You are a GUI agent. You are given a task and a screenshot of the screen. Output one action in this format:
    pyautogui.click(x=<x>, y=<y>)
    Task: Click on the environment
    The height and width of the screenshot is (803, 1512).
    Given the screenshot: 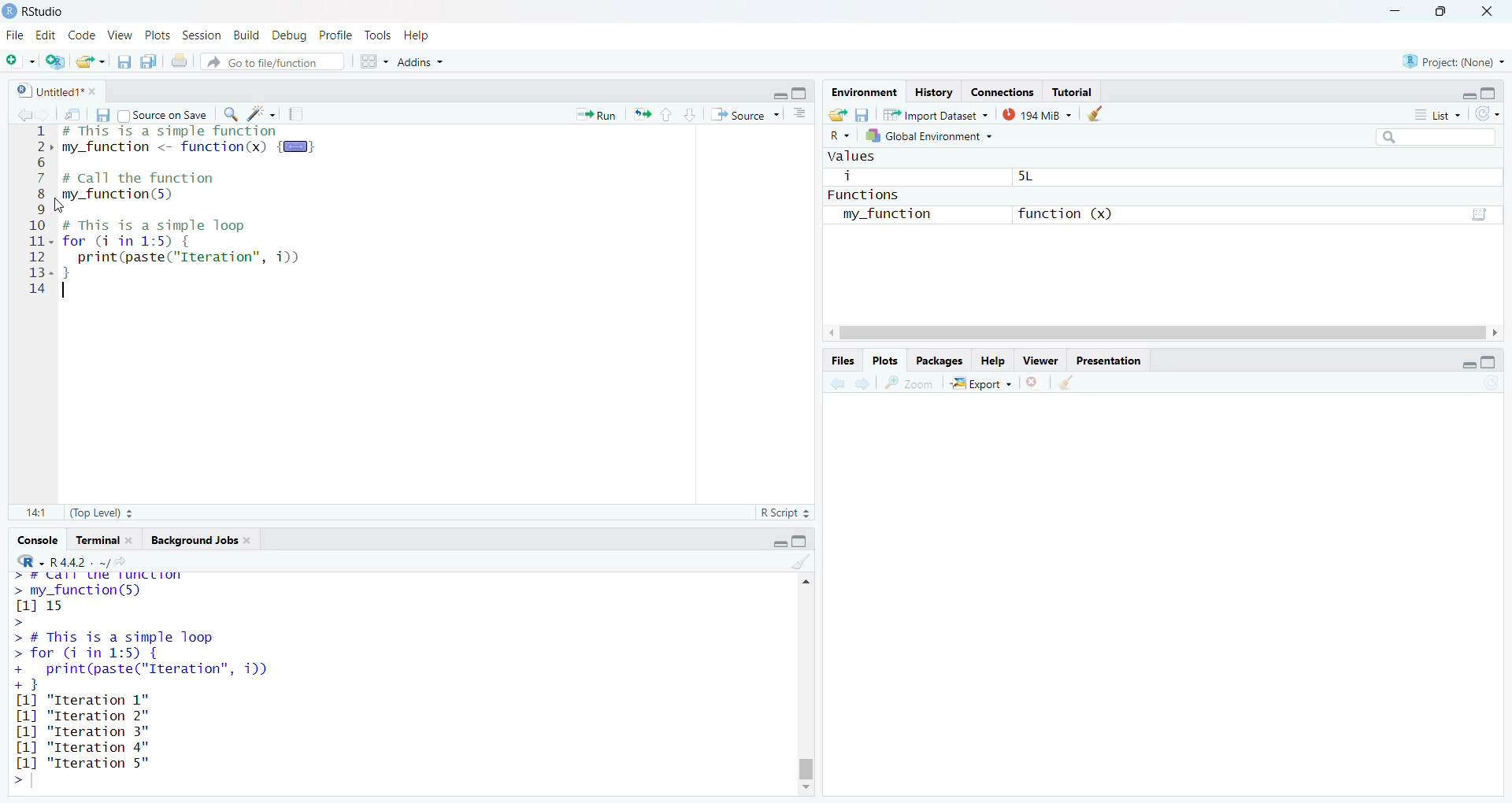 What is the action you would take?
    pyautogui.click(x=866, y=92)
    